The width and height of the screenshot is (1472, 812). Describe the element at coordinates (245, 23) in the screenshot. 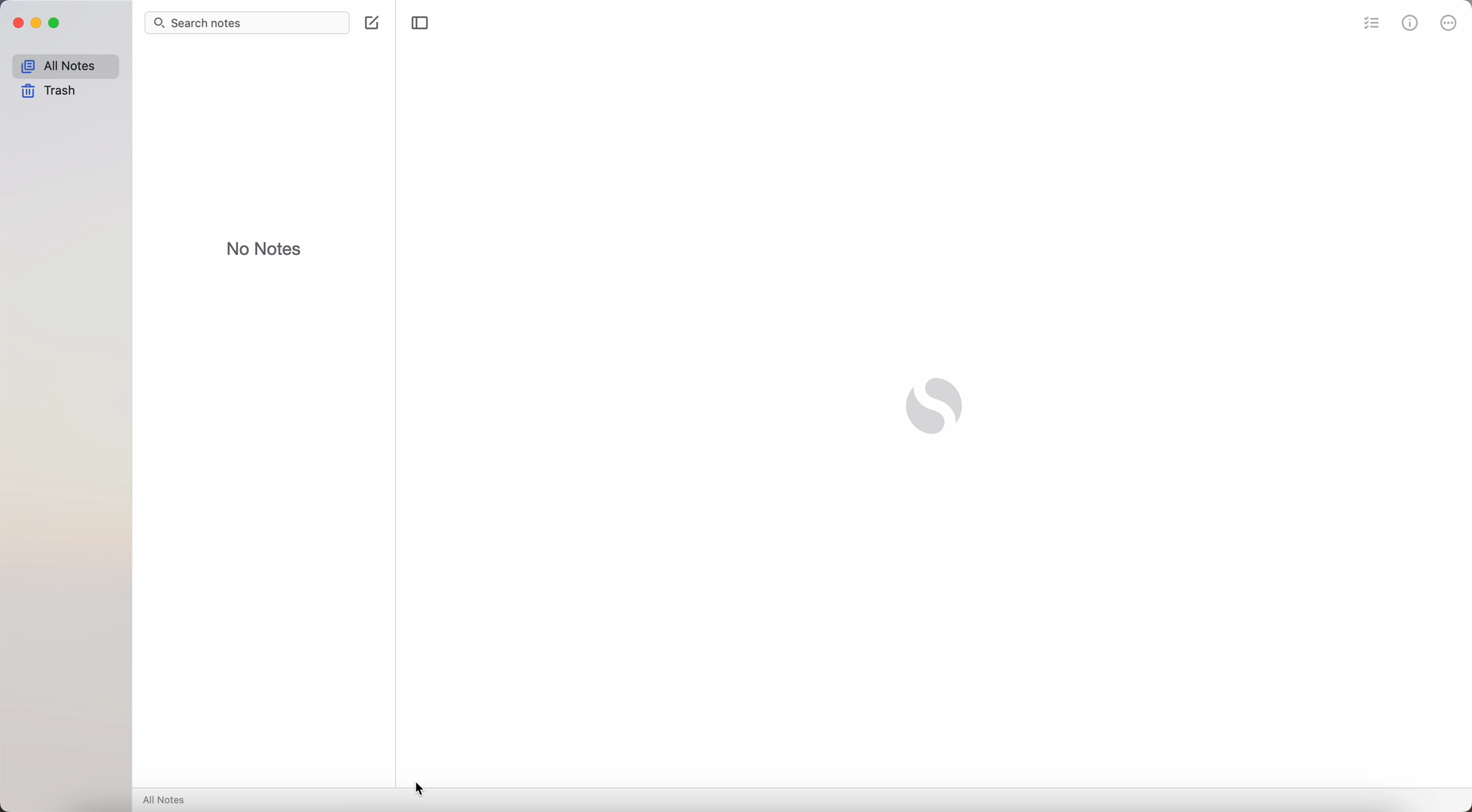

I see `search bar` at that location.